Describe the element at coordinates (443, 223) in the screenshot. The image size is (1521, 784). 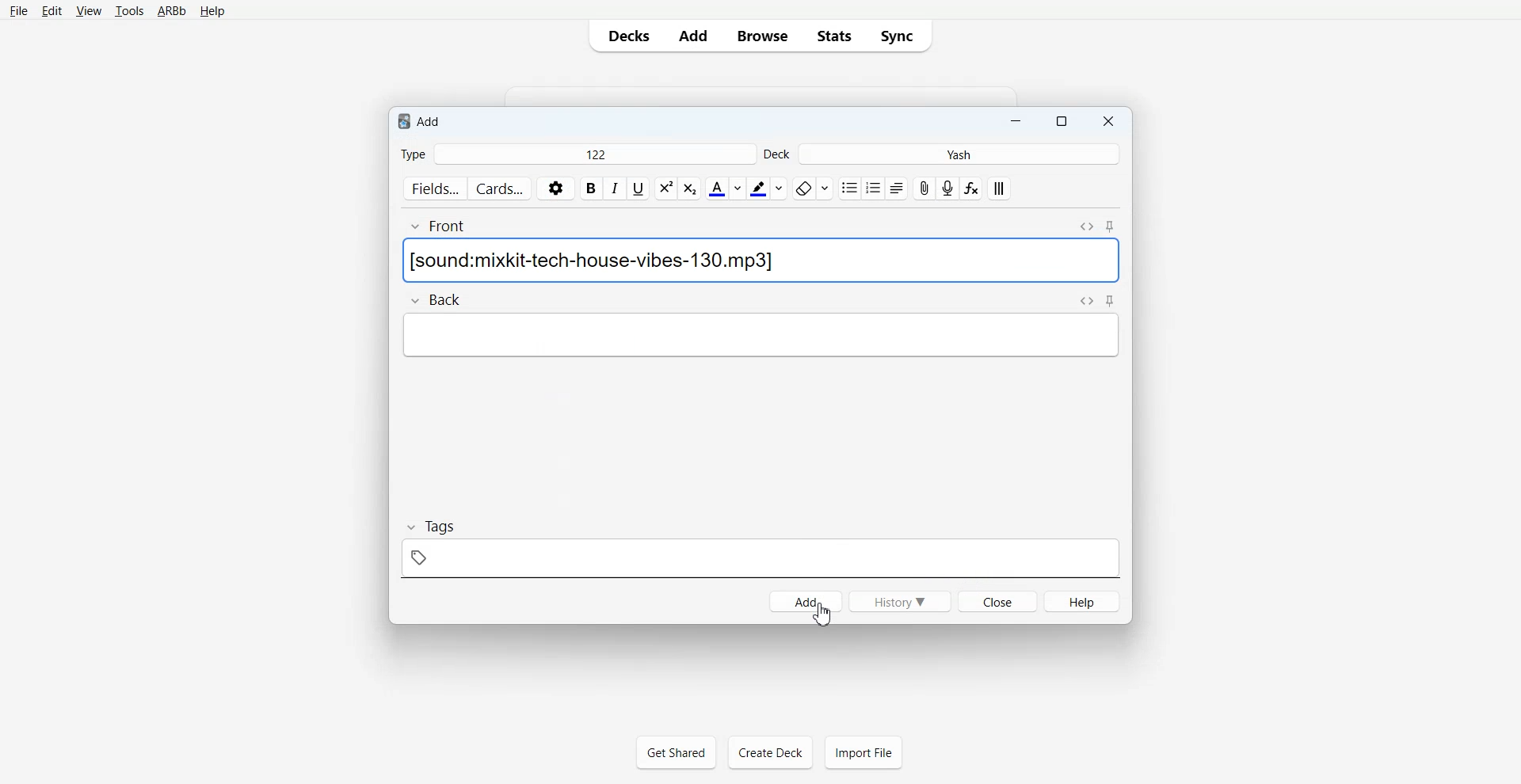
I see `front` at that location.